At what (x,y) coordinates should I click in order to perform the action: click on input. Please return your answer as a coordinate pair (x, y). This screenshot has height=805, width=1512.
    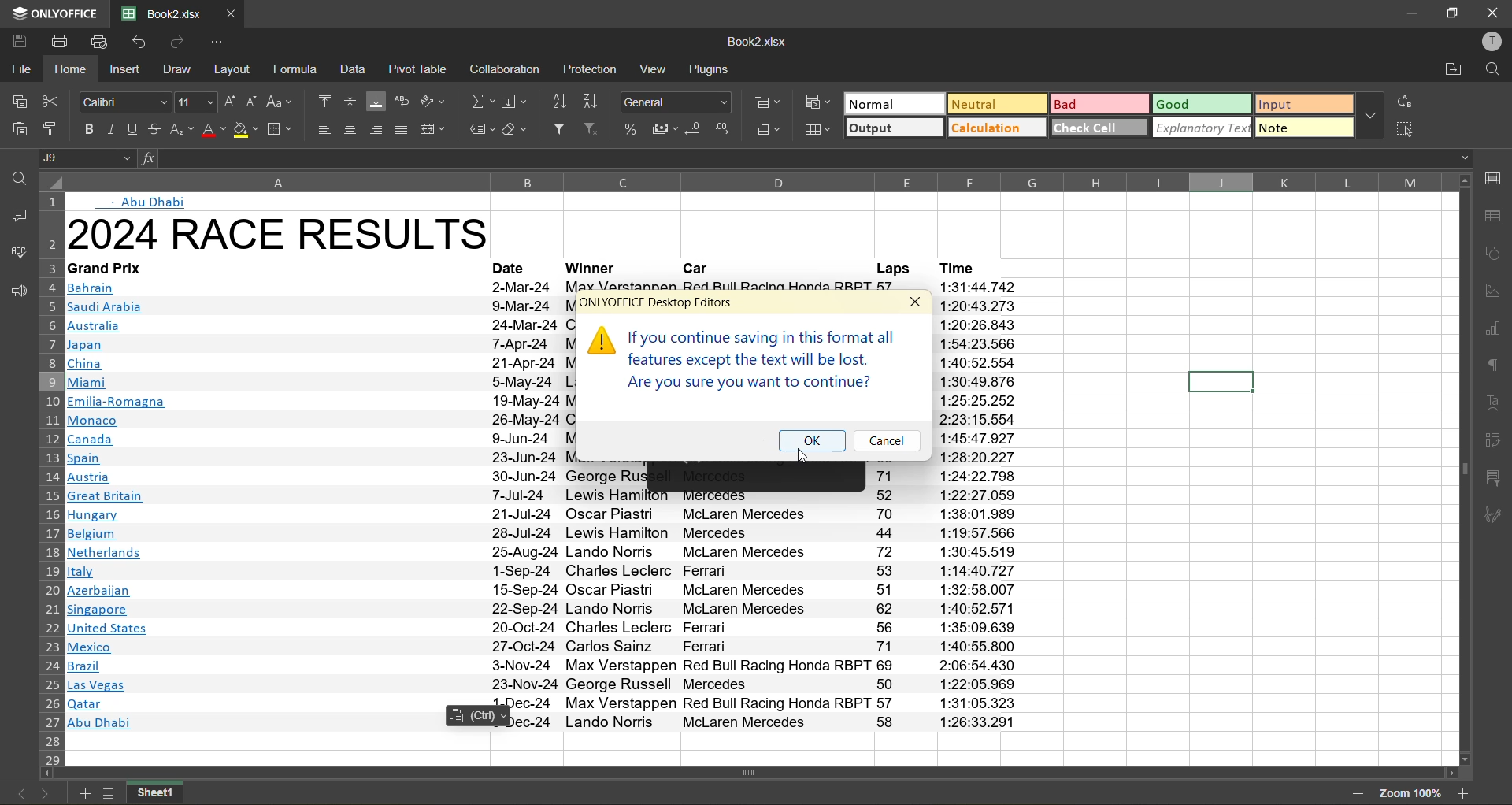
    Looking at the image, I should click on (1304, 103).